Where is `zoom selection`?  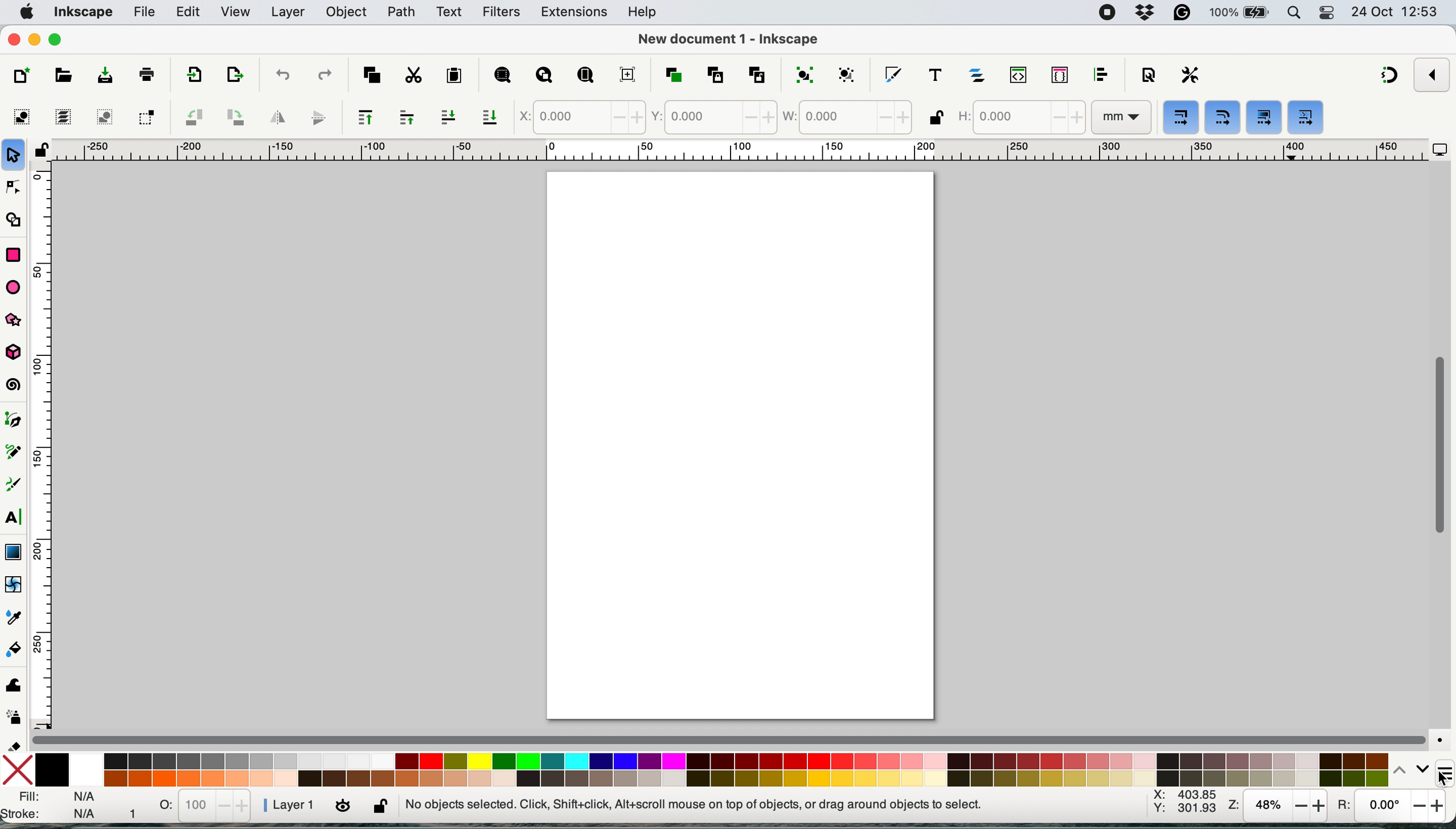 zoom selection is located at coordinates (502, 76).